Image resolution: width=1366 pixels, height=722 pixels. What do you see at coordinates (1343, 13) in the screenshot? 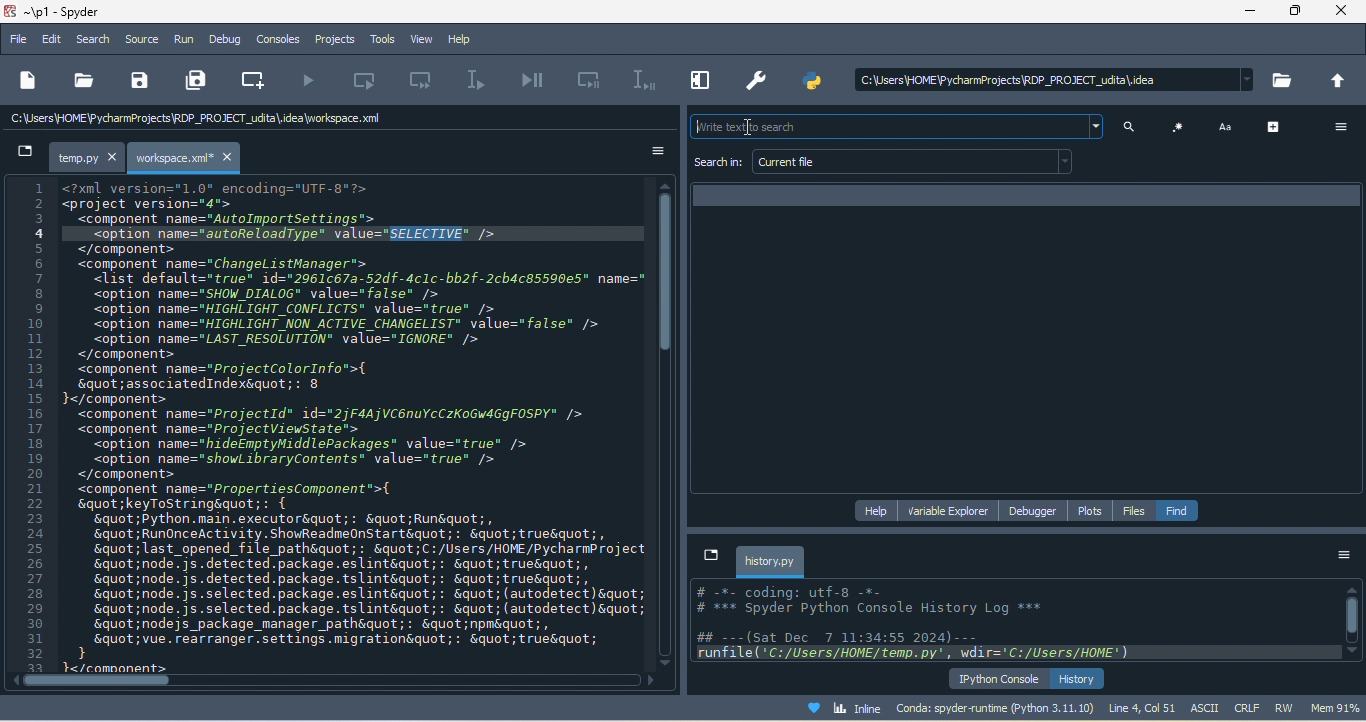
I see `close` at bounding box center [1343, 13].